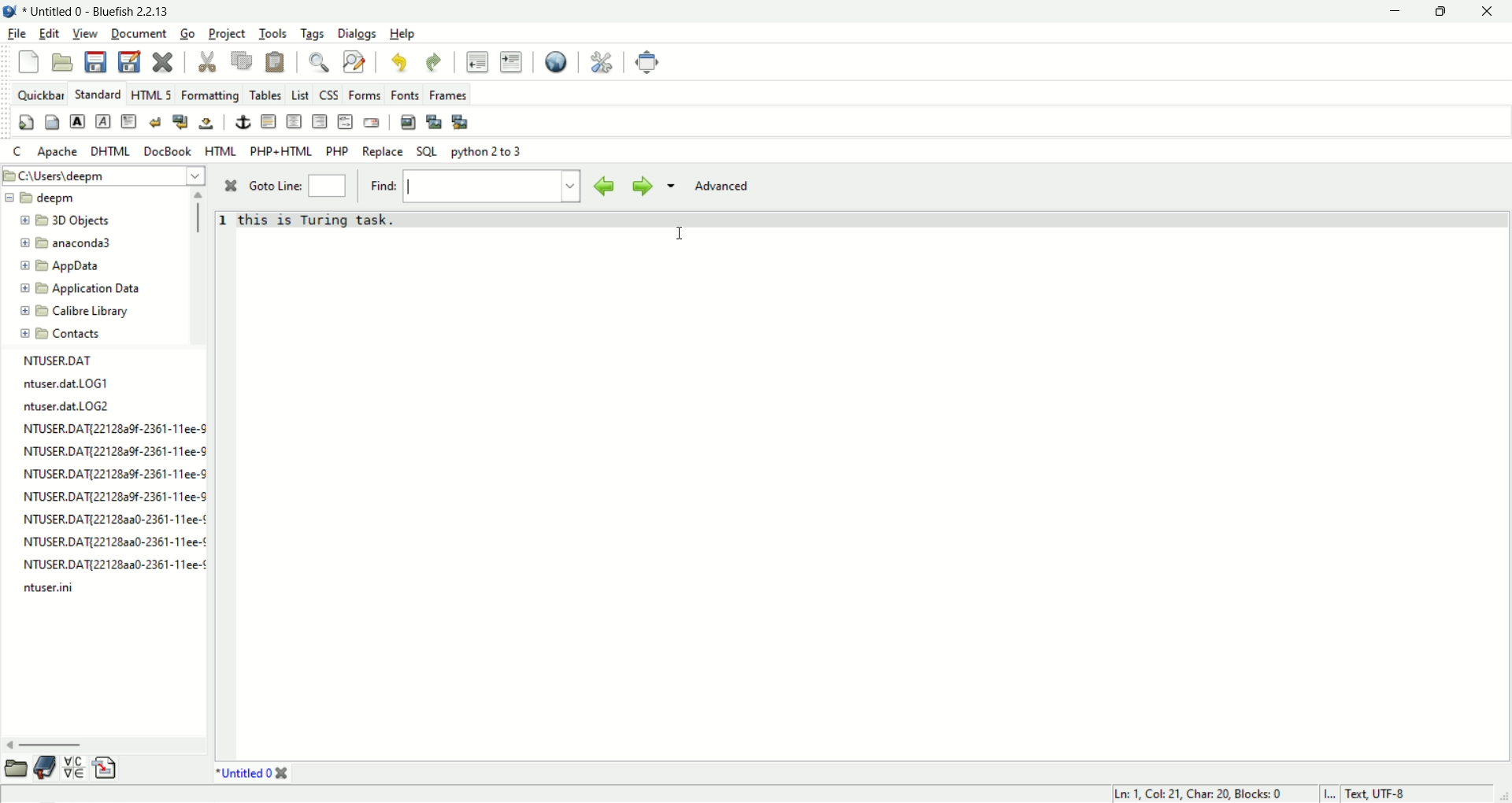 This screenshot has height=803, width=1512. I want to click on paste, so click(275, 63).